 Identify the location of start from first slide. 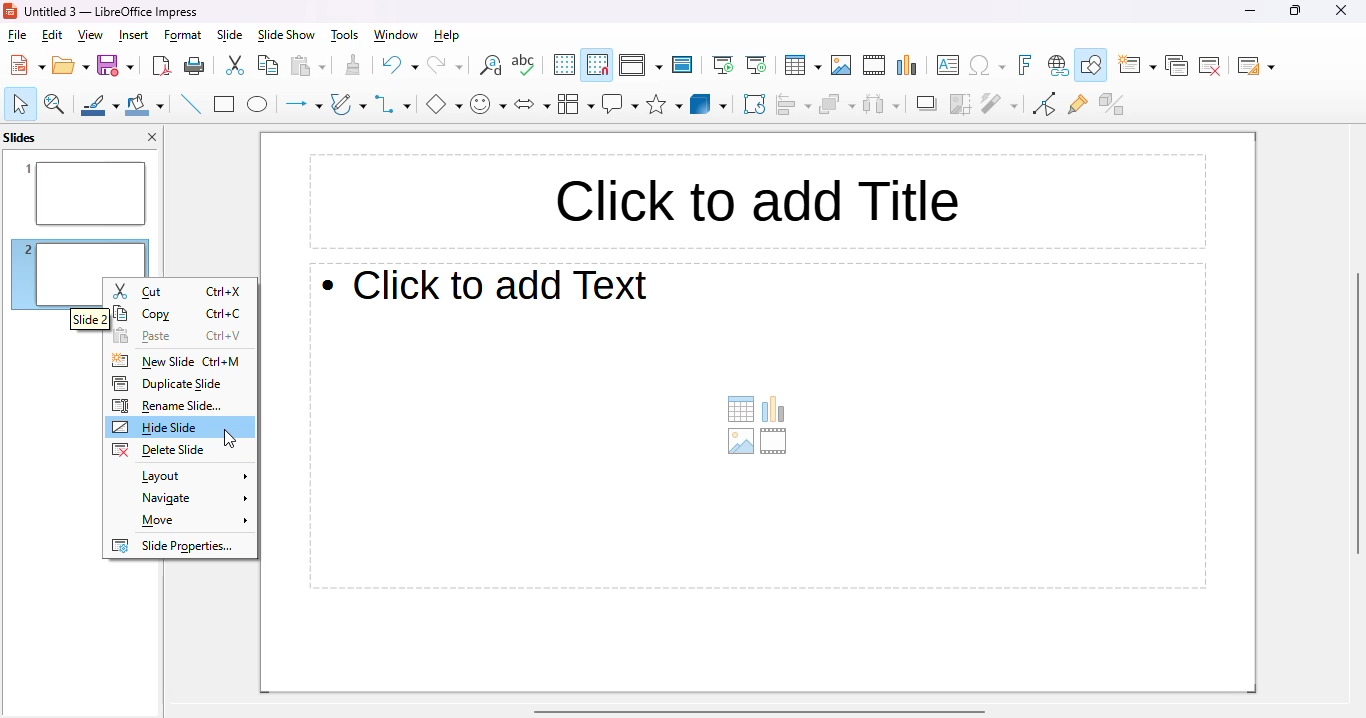
(724, 65).